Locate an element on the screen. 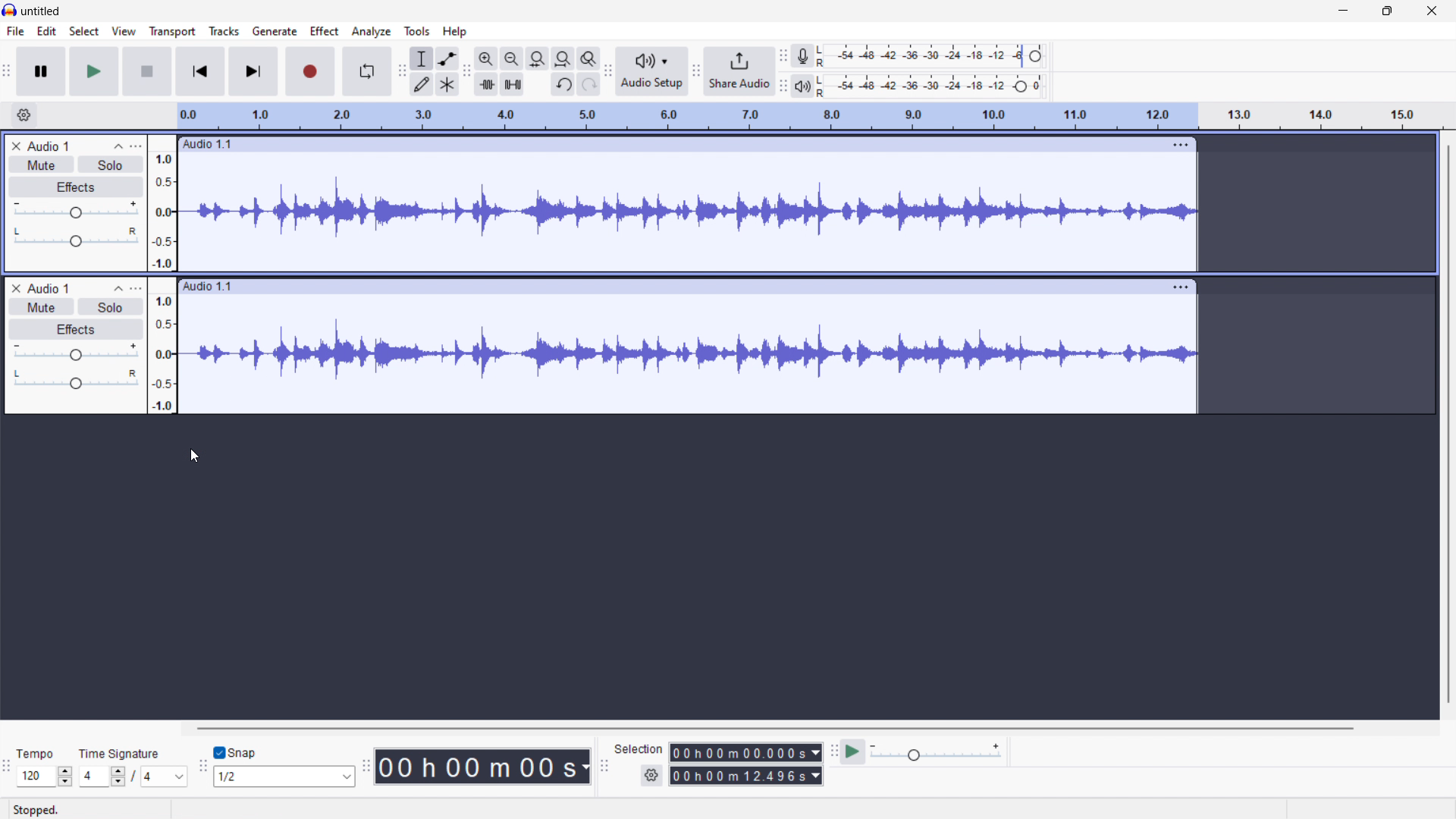 The height and width of the screenshot is (819, 1456). audio setup toolbar is located at coordinates (608, 71).